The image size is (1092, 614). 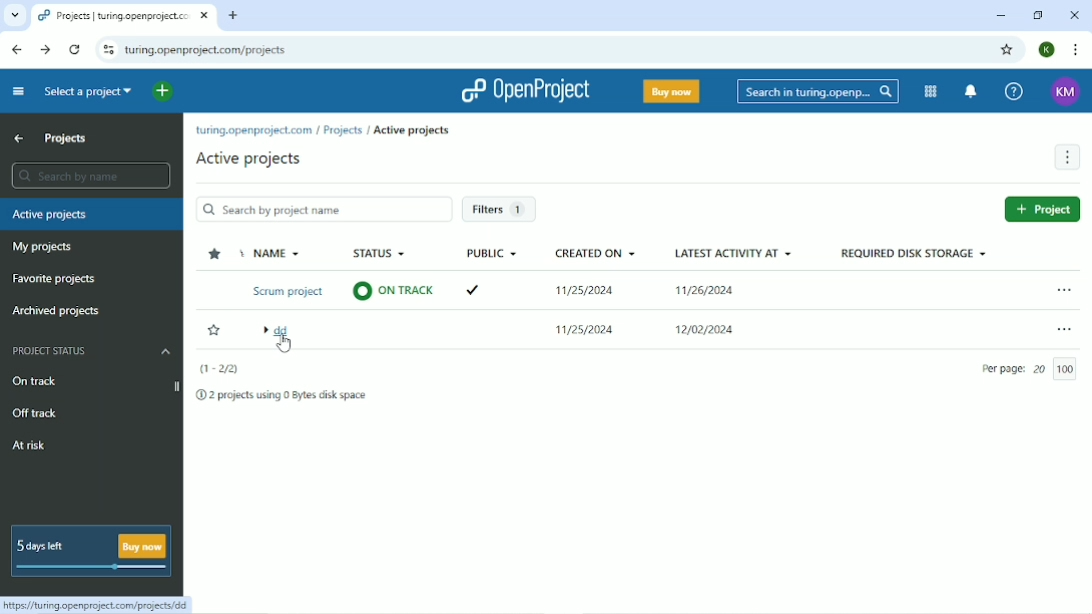 I want to click on Customize and control google chrome, so click(x=1074, y=50).